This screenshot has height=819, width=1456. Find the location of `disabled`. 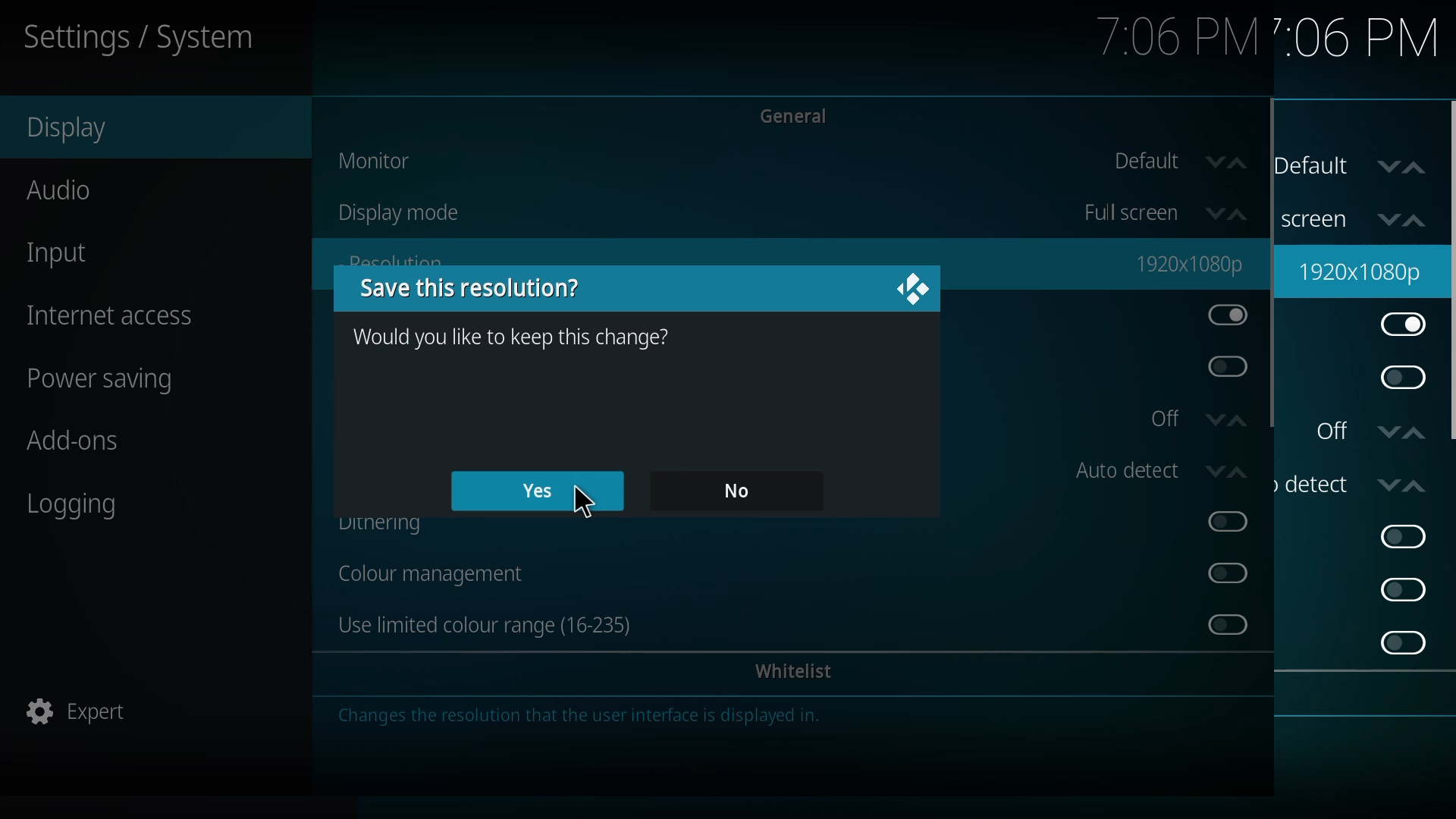

disabled is located at coordinates (1218, 626).